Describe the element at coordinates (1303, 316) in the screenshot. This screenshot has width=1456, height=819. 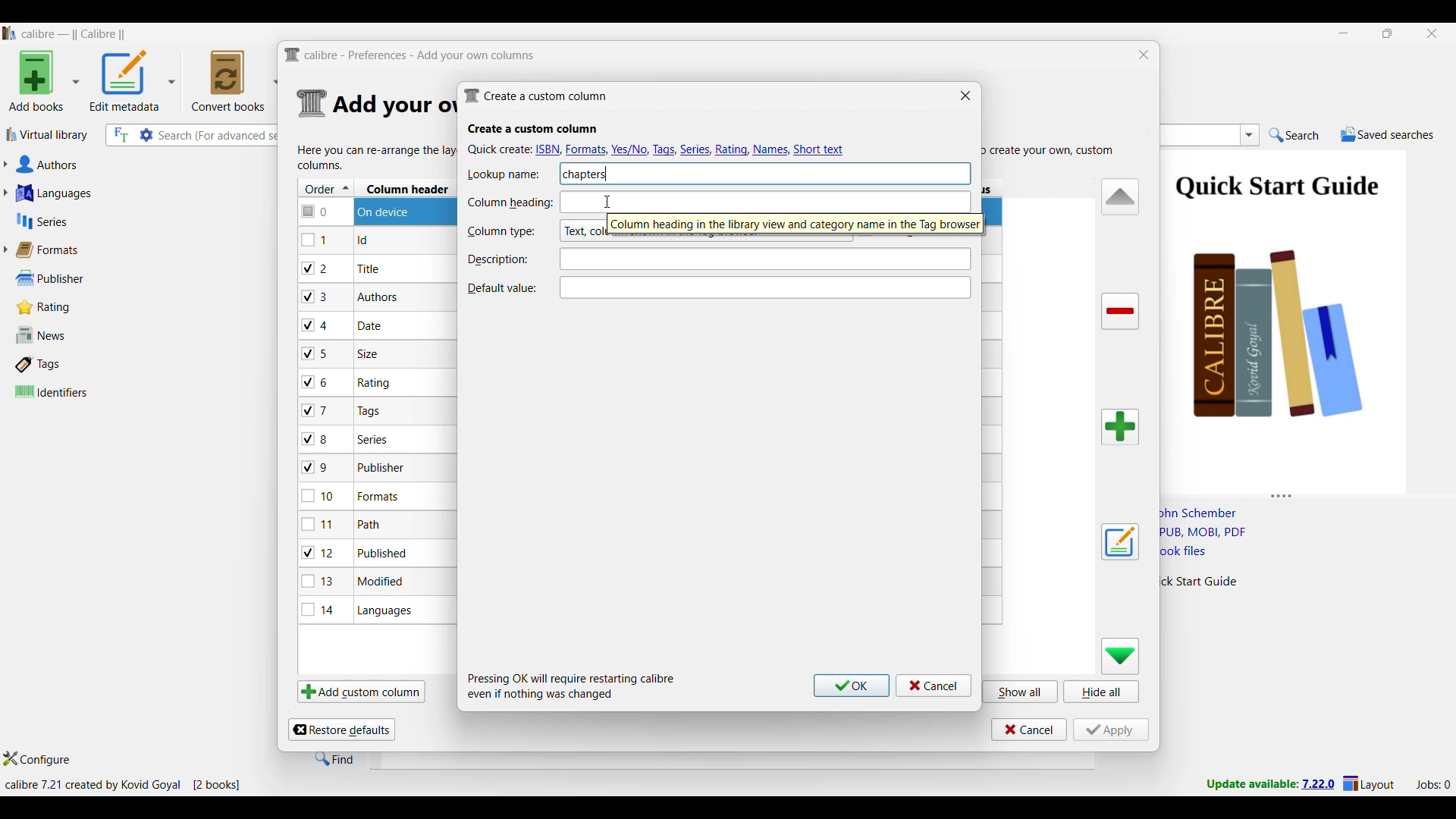
I see `Book preview` at that location.